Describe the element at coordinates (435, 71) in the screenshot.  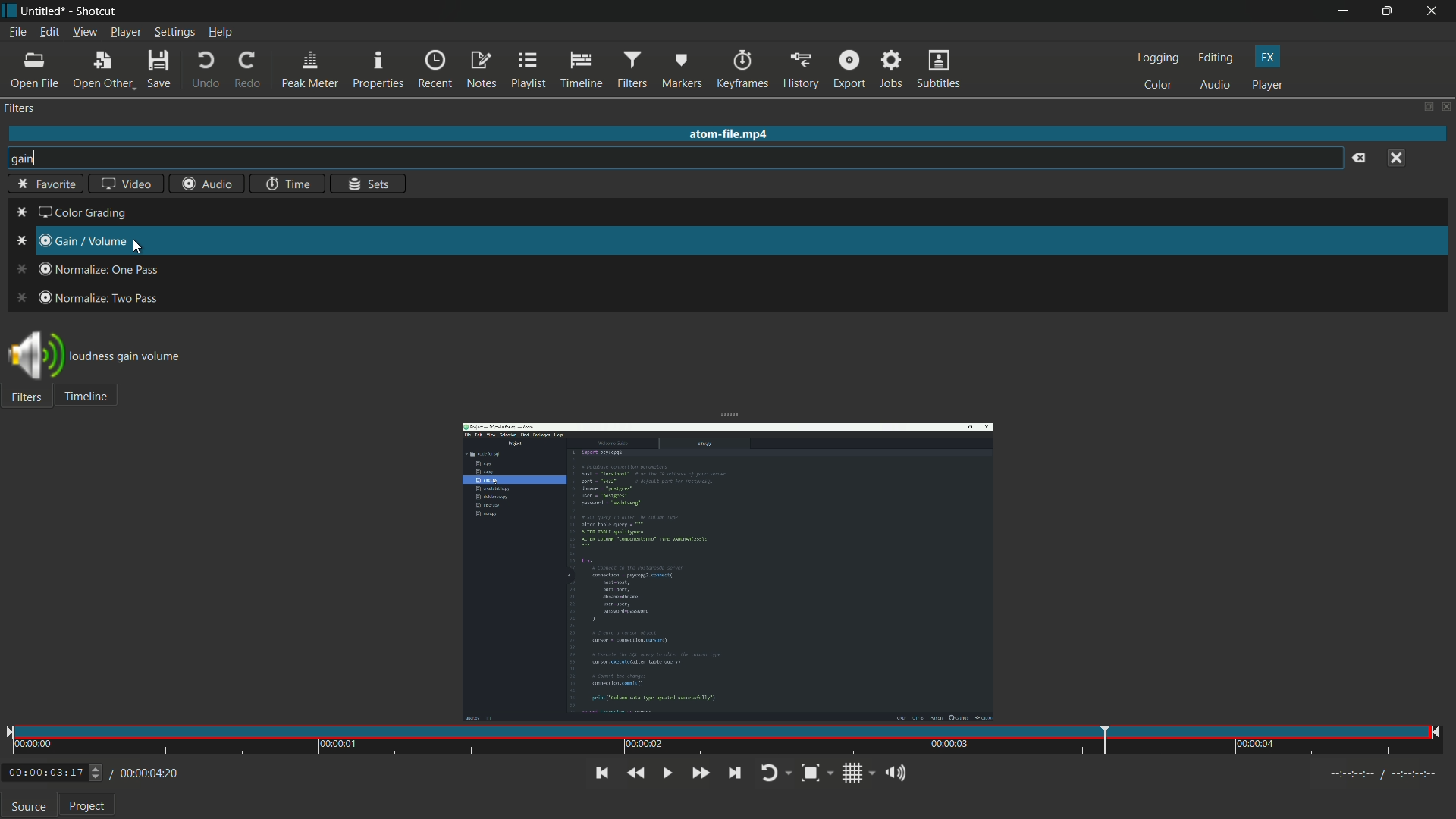
I see `recent` at that location.